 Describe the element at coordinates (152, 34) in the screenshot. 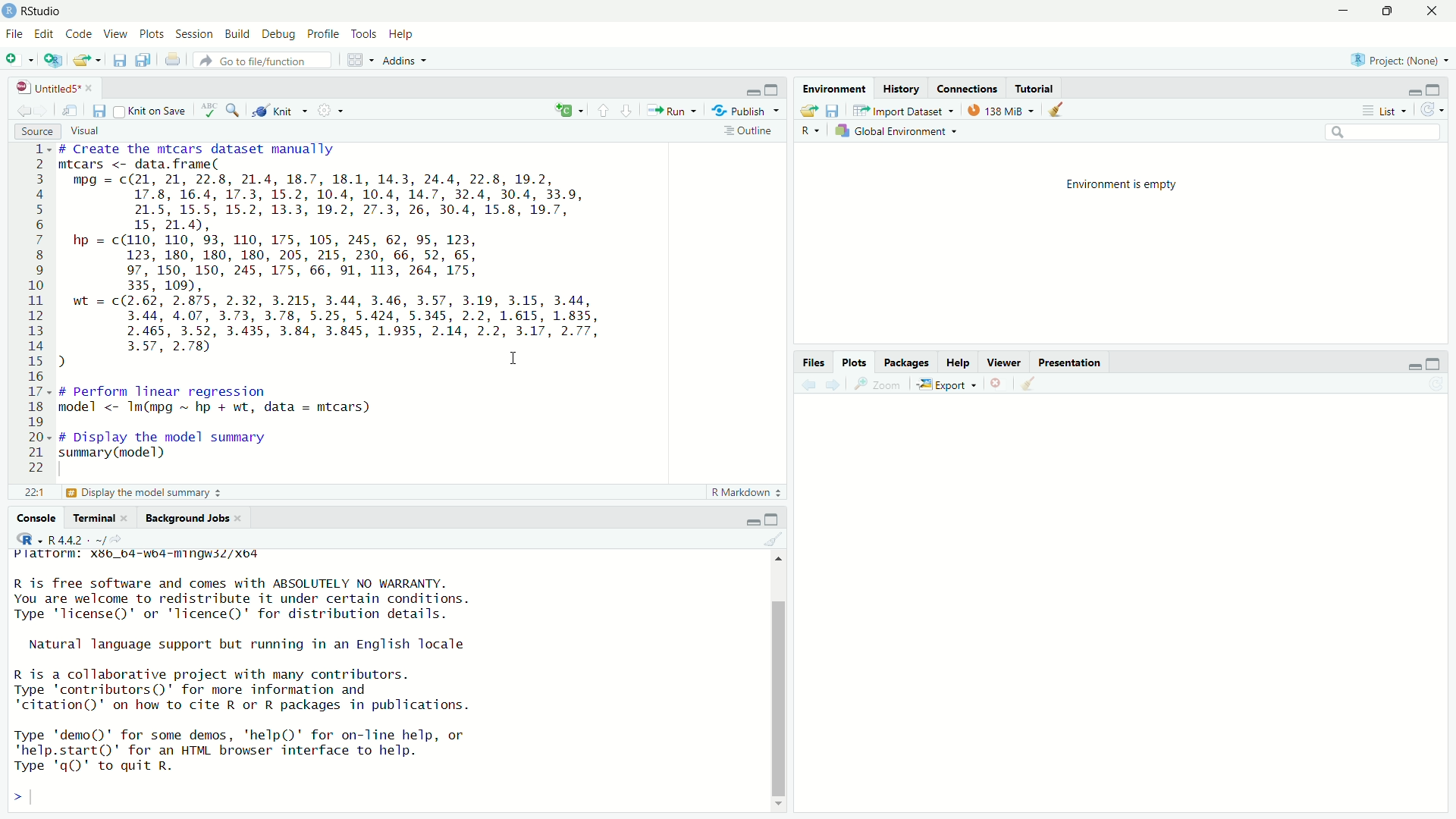

I see `plots` at that location.